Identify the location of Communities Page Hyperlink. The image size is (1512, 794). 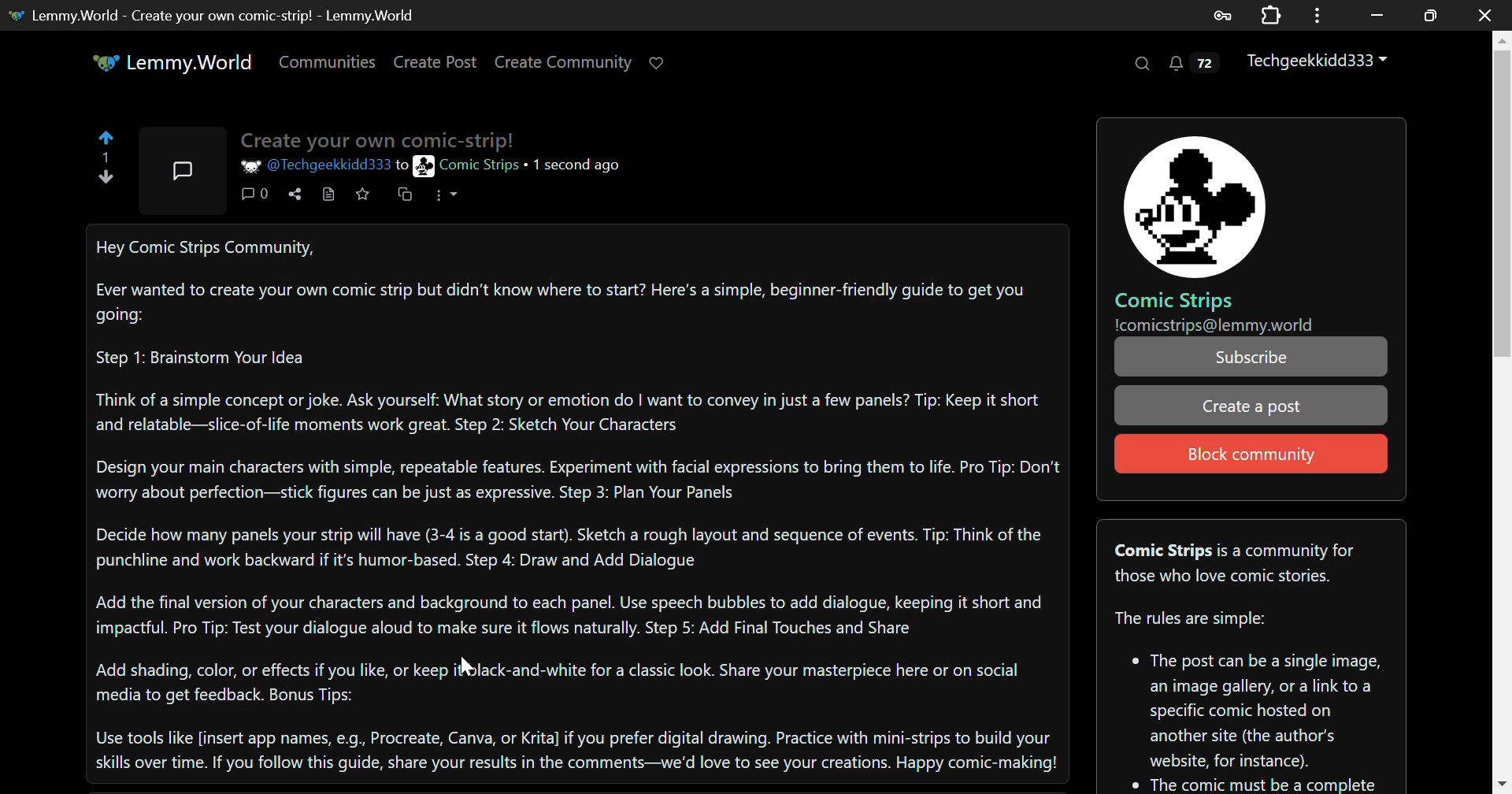
(327, 61).